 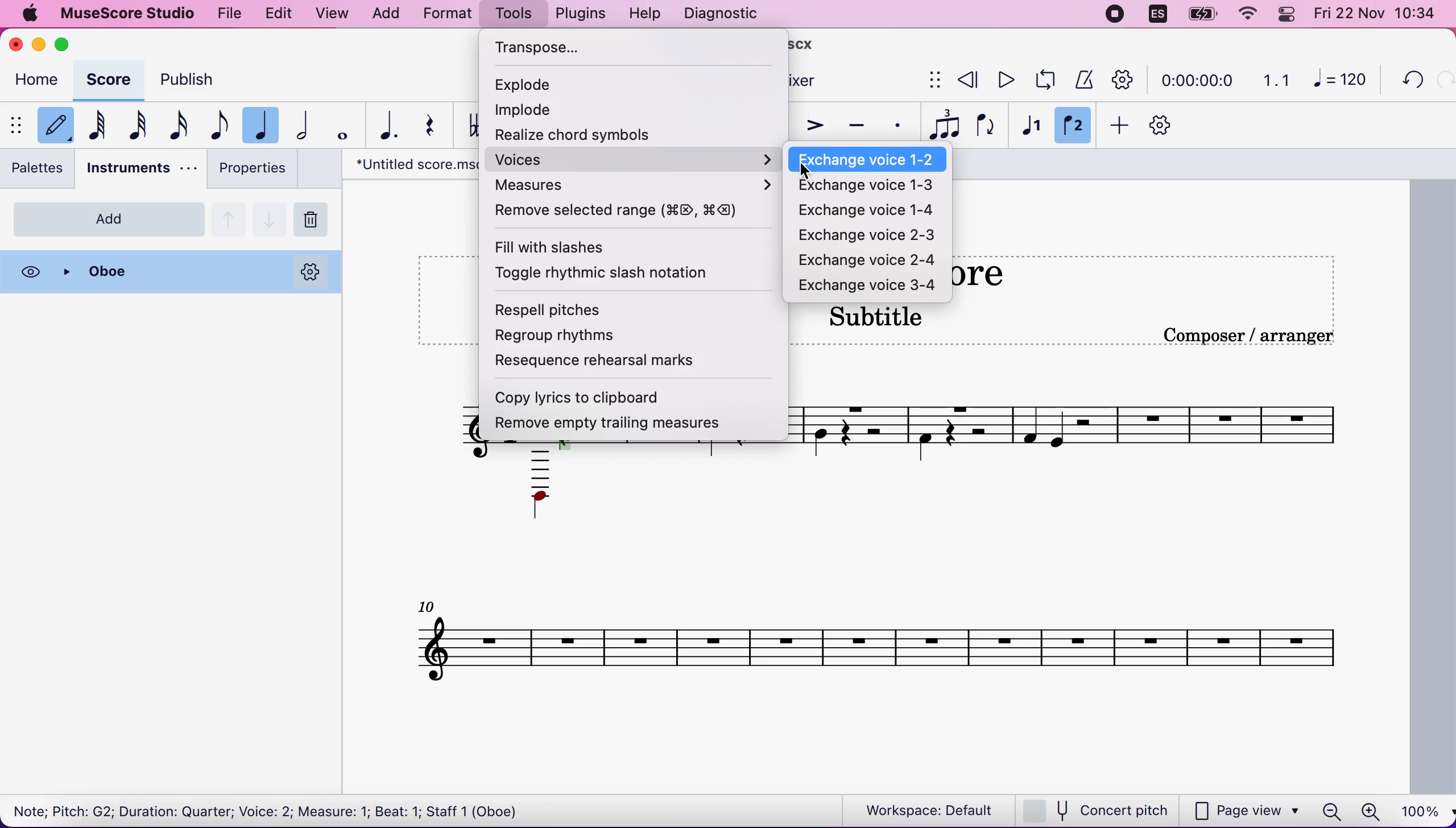 What do you see at coordinates (935, 82) in the screenshot?
I see `show/hide` at bounding box center [935, 82].